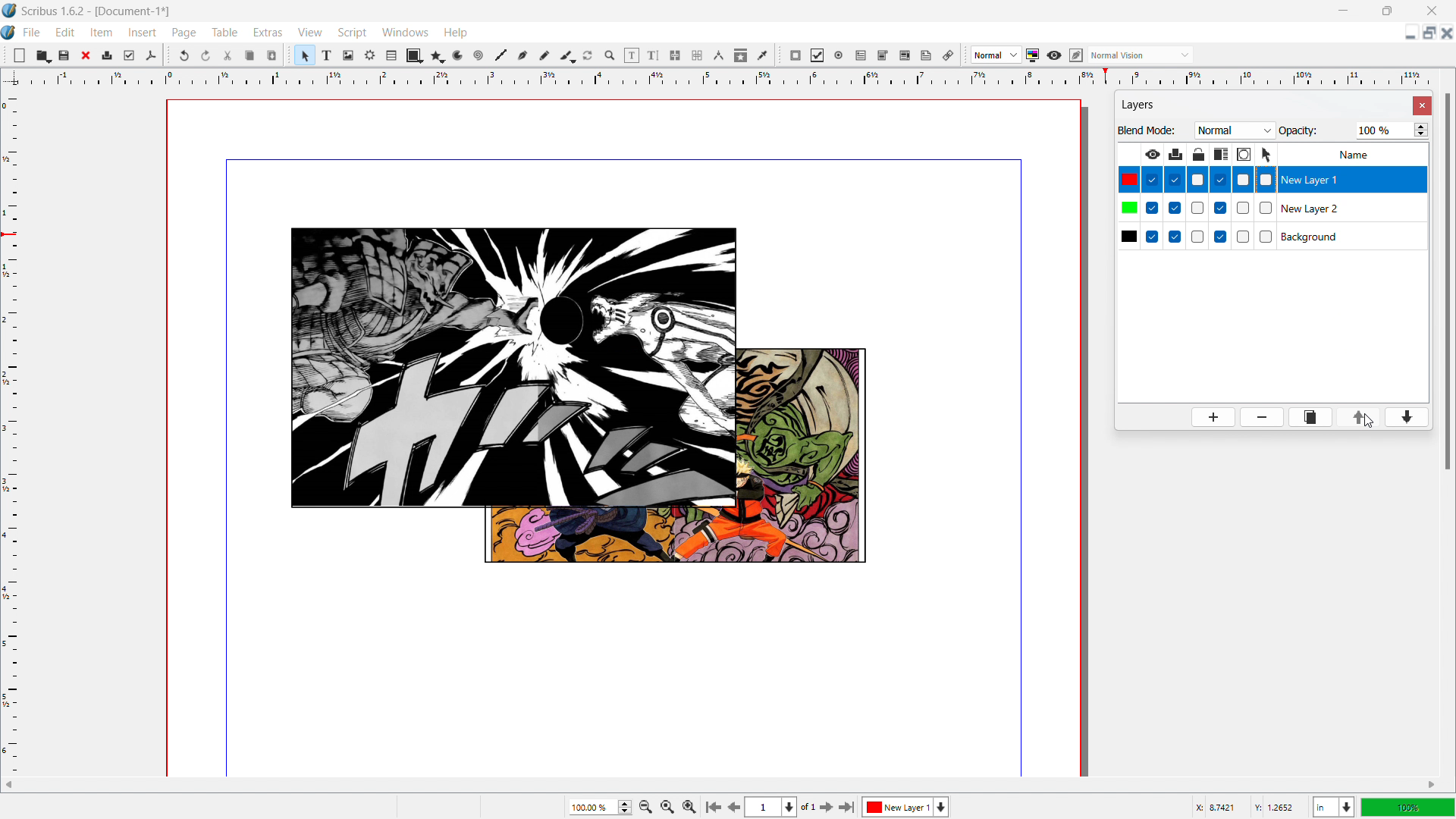  I want to click on vertical ruler, so click(11, 431).